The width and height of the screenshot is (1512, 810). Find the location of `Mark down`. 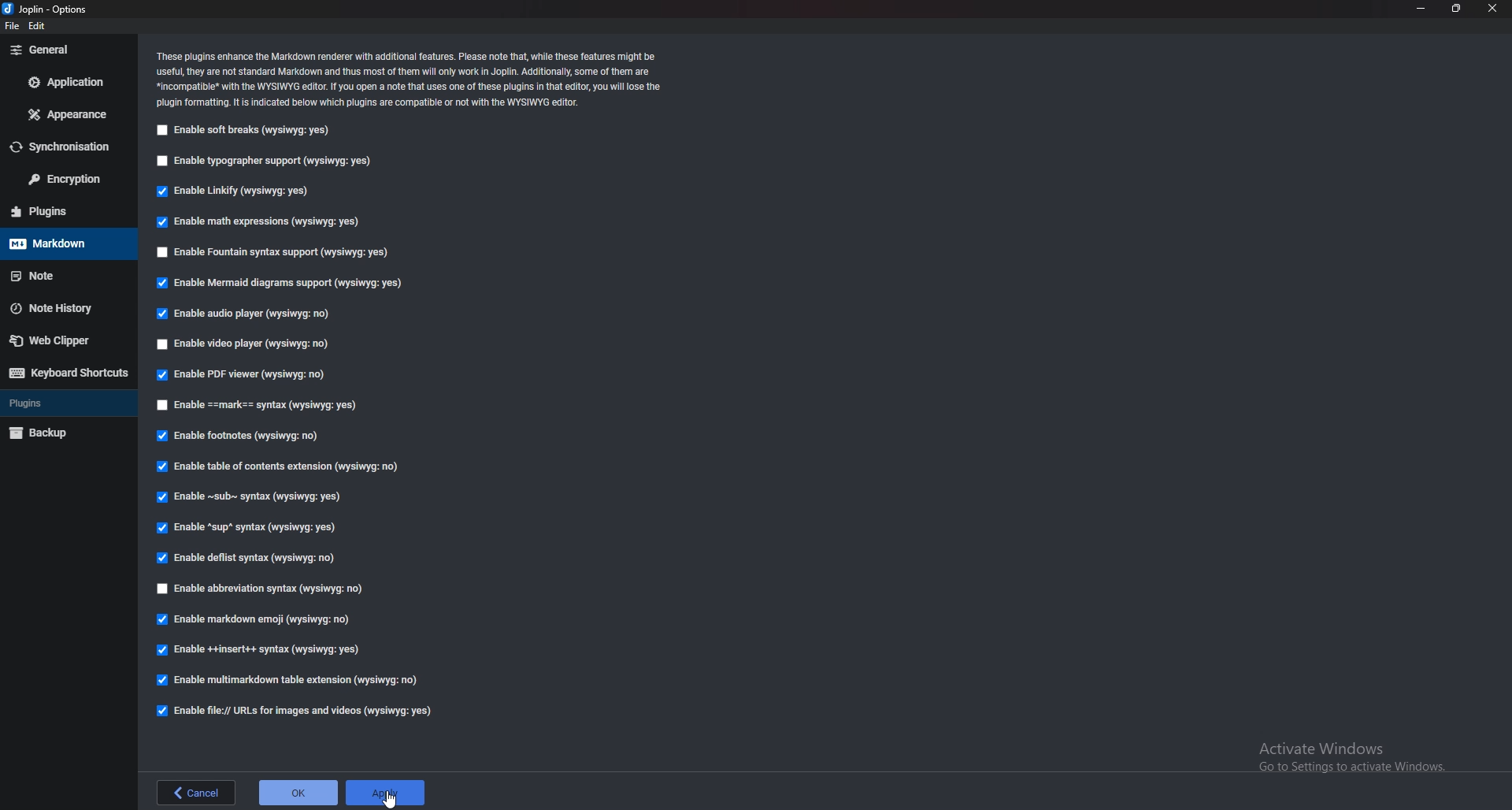

Mark down is located at coordinates (57, 244).